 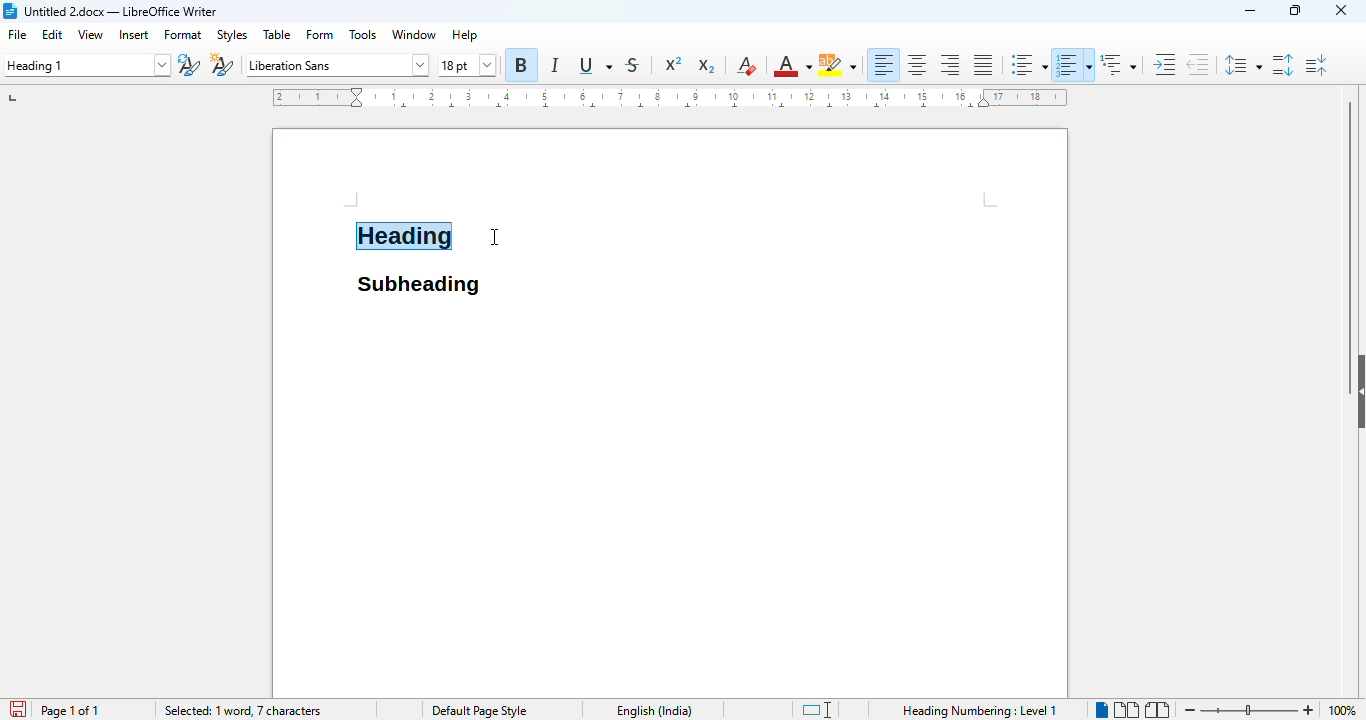 What do you see at coordinates (311, 215) in the screenshot?
I see `Document` at bounding box center [311, 215].